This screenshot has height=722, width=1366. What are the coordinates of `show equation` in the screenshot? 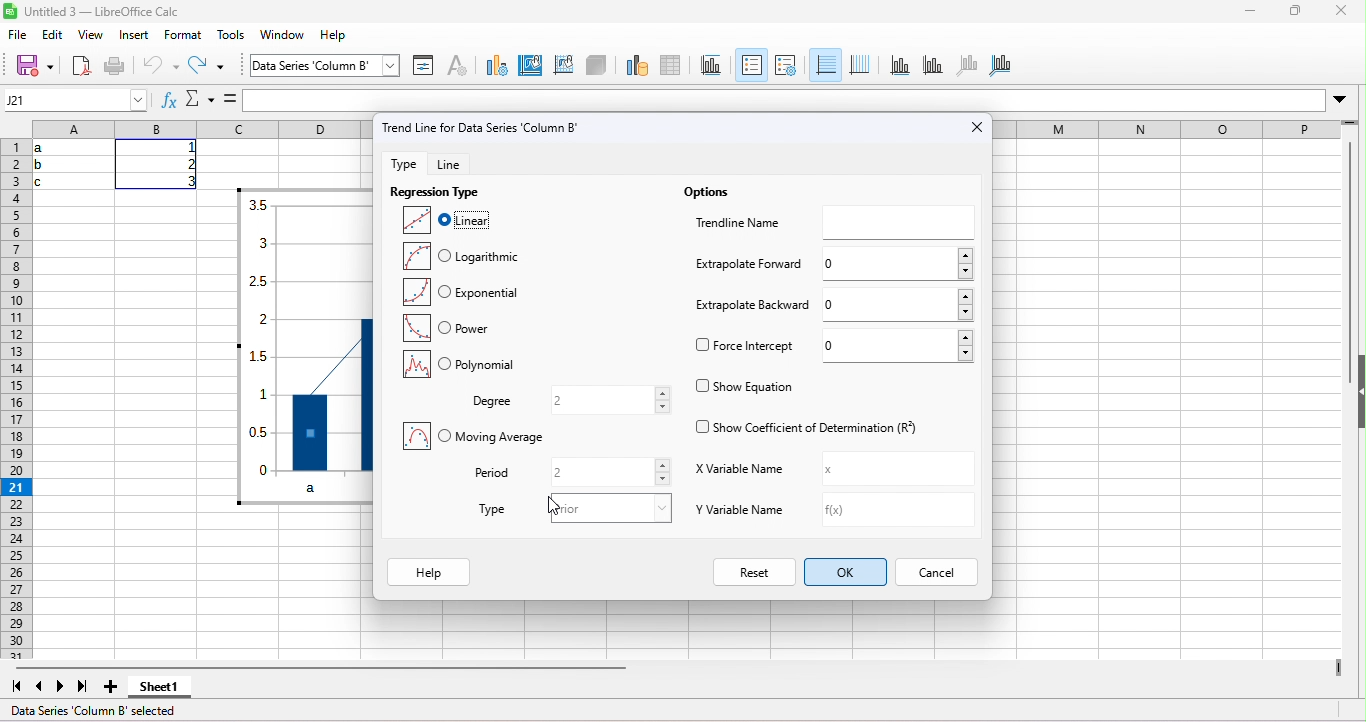 It's located at (746, 385).